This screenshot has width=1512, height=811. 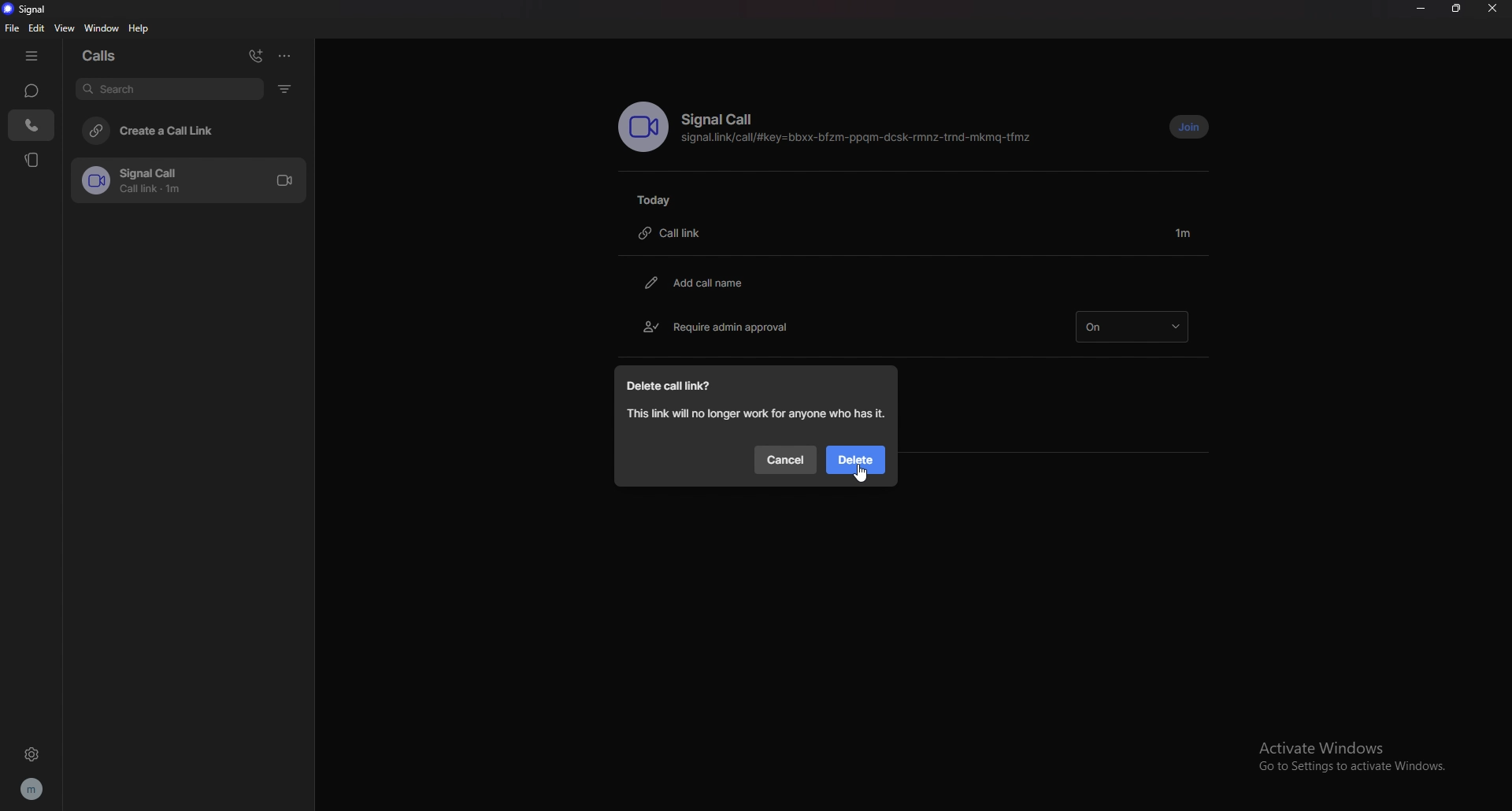 What do you see at coordinates (39, 9) in the screenshot?
I see `signal` at bounding box center [39, 9].